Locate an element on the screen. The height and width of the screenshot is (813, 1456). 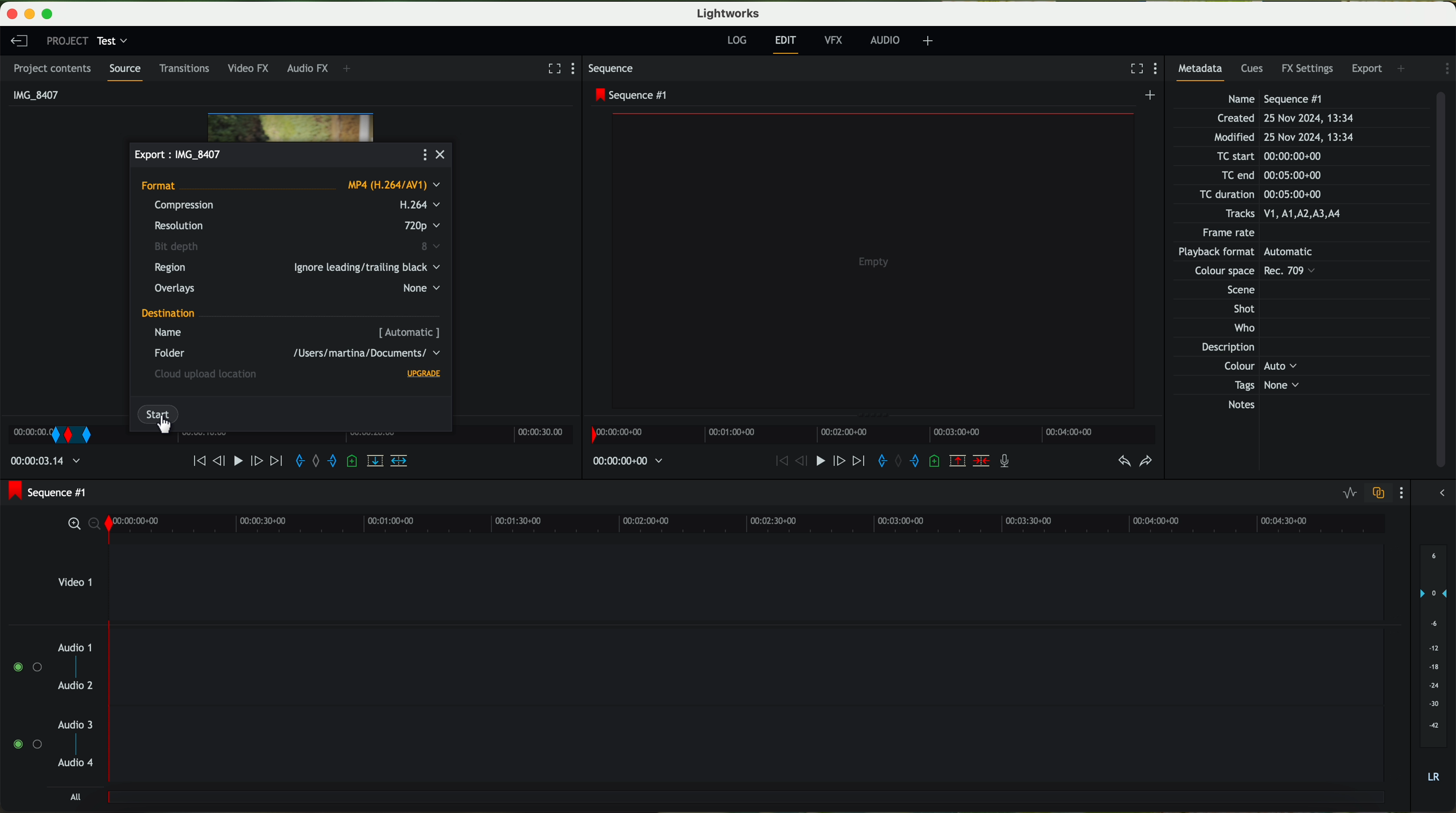
folder is located at coordinates (294, 353).